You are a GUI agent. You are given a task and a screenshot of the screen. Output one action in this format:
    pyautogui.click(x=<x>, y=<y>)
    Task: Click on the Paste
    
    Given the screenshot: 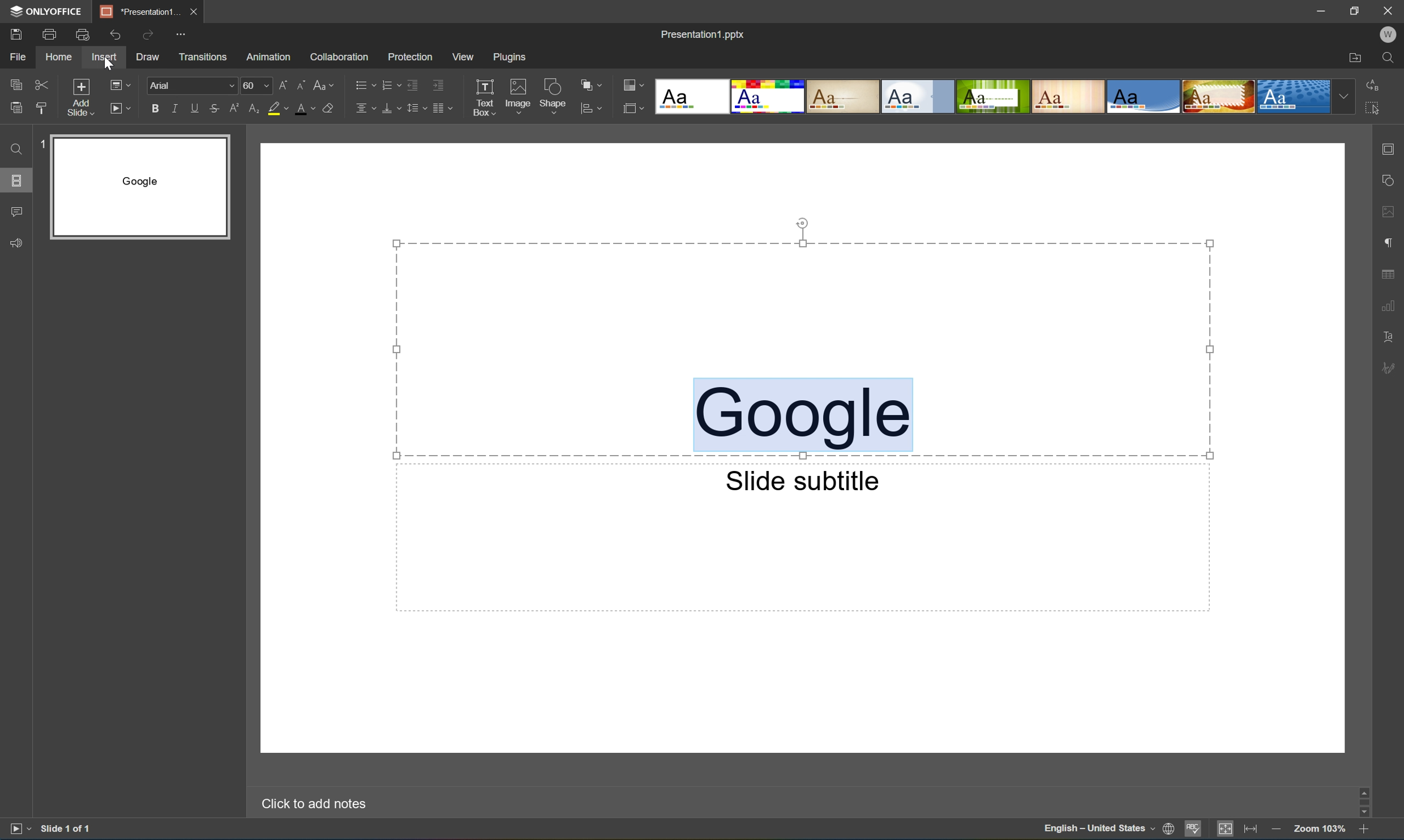 What is the action you would take?
    pyautogui.click(x=16, y=108)
    